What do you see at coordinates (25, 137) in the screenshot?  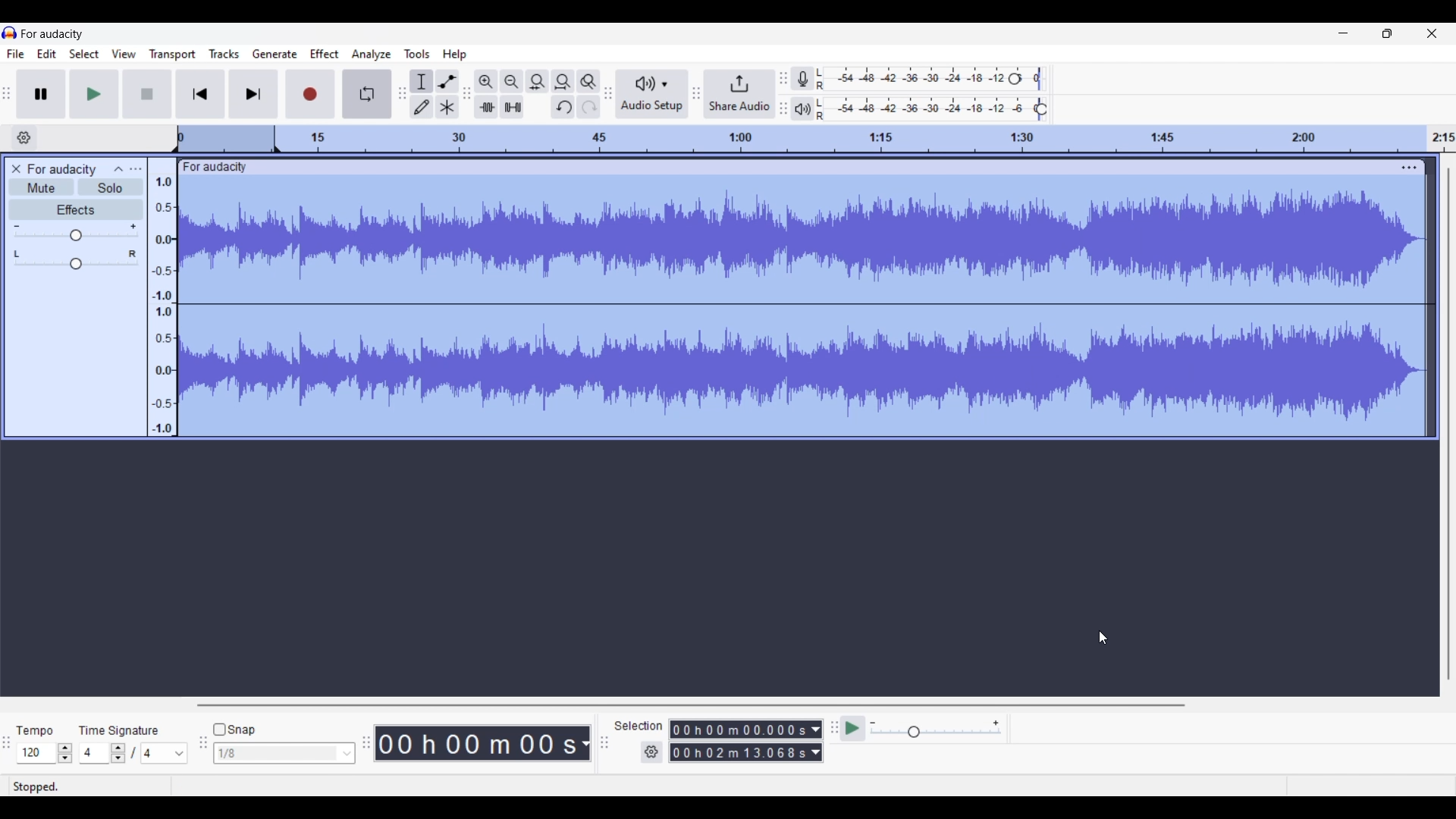 I see `Timeline options` at bounding box center [25, 137].